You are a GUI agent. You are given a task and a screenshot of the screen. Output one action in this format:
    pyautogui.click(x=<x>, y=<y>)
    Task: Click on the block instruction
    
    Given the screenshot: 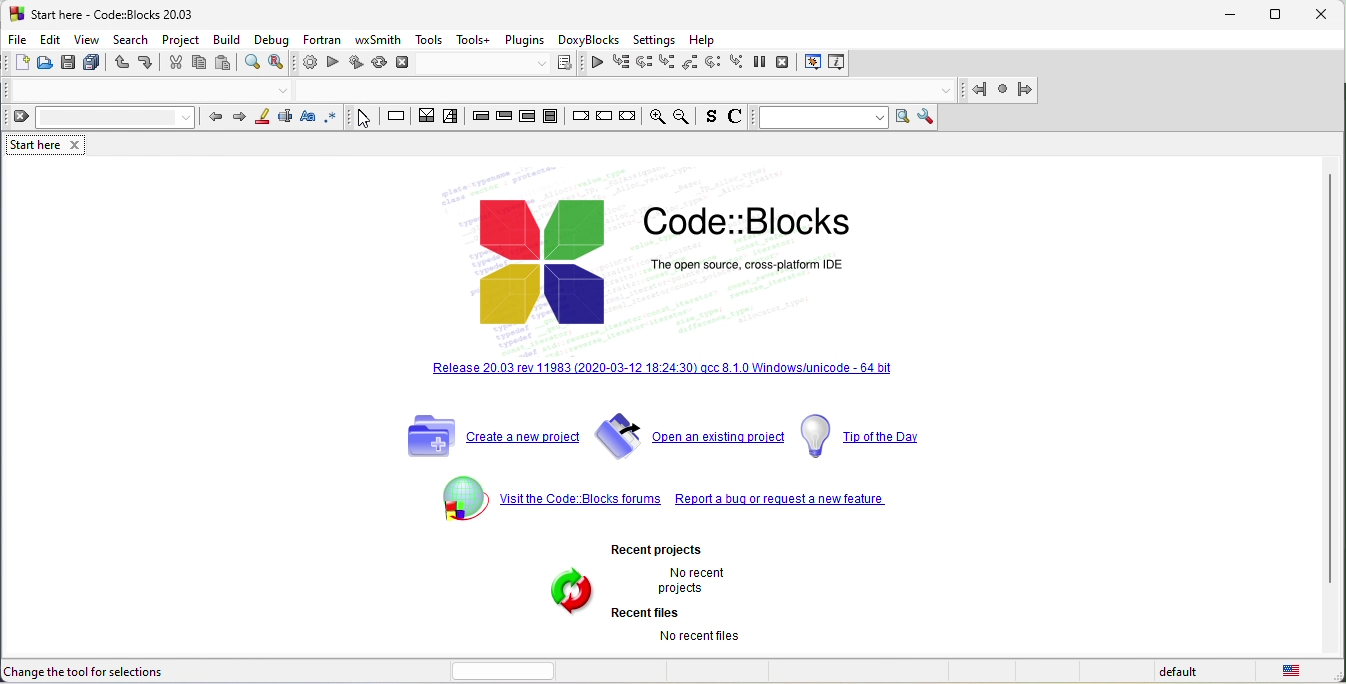 What is the action you would take?
    pyautogui.click(x=553, y=117)
    